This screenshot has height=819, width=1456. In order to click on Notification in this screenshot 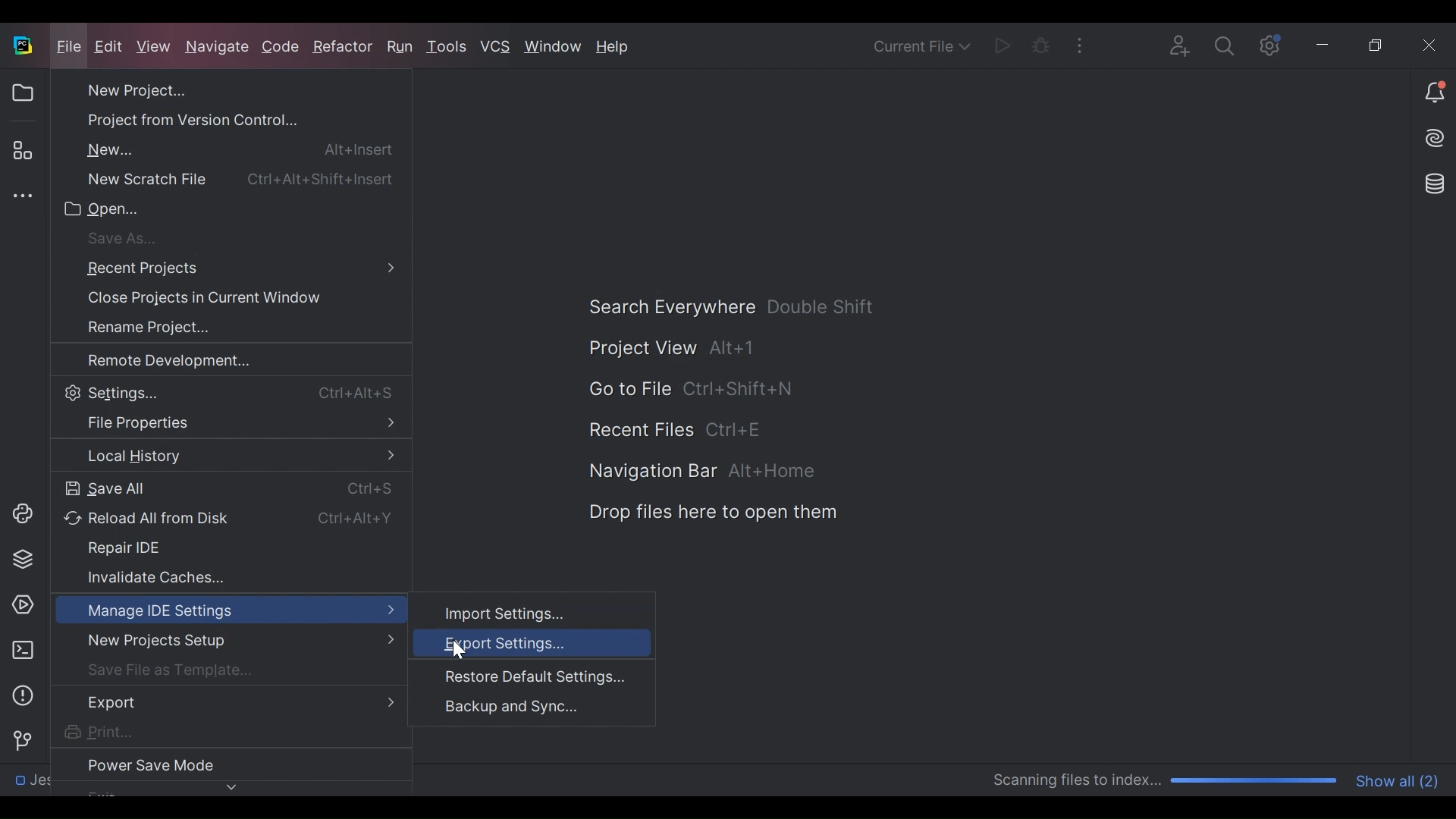, I will do `click(1434, 93)`.